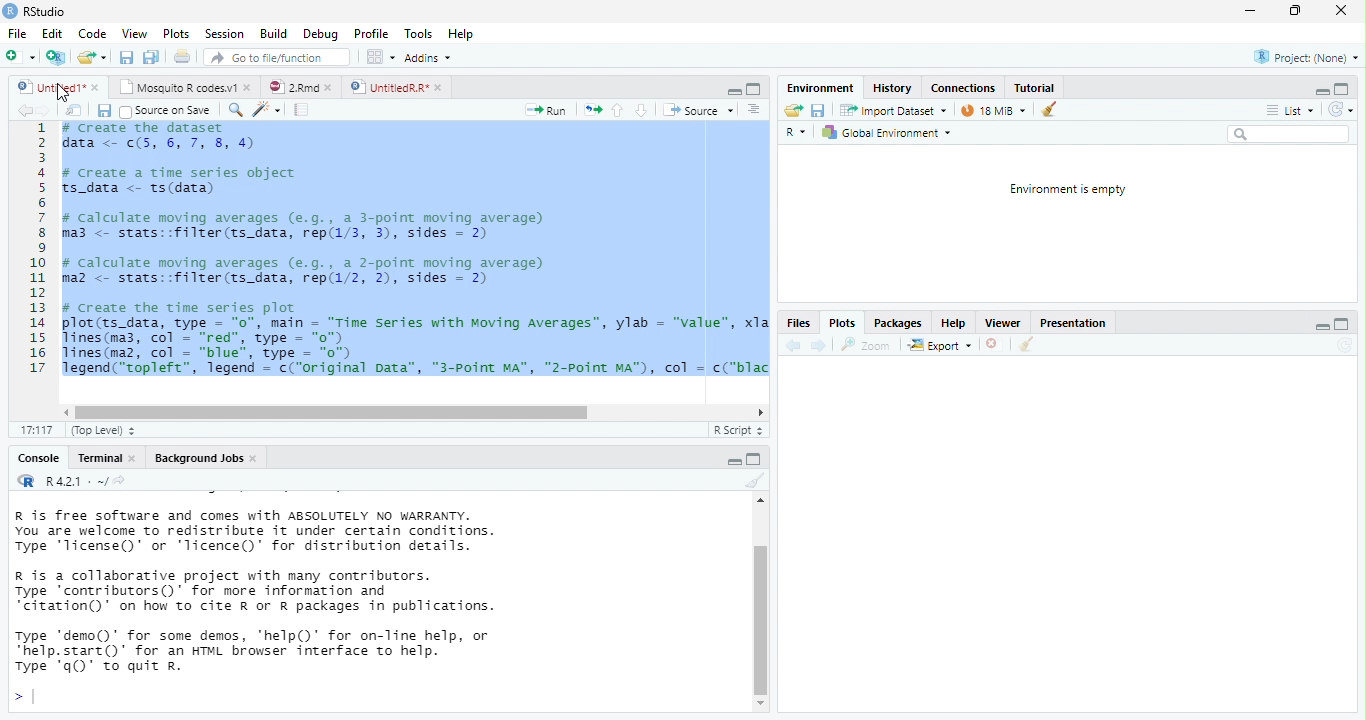 This screenshot has height=720, width=1366. What do you see at coordinates (754, 458) in the screenshot?
I see `minimize` at bounding box center [754, 458].